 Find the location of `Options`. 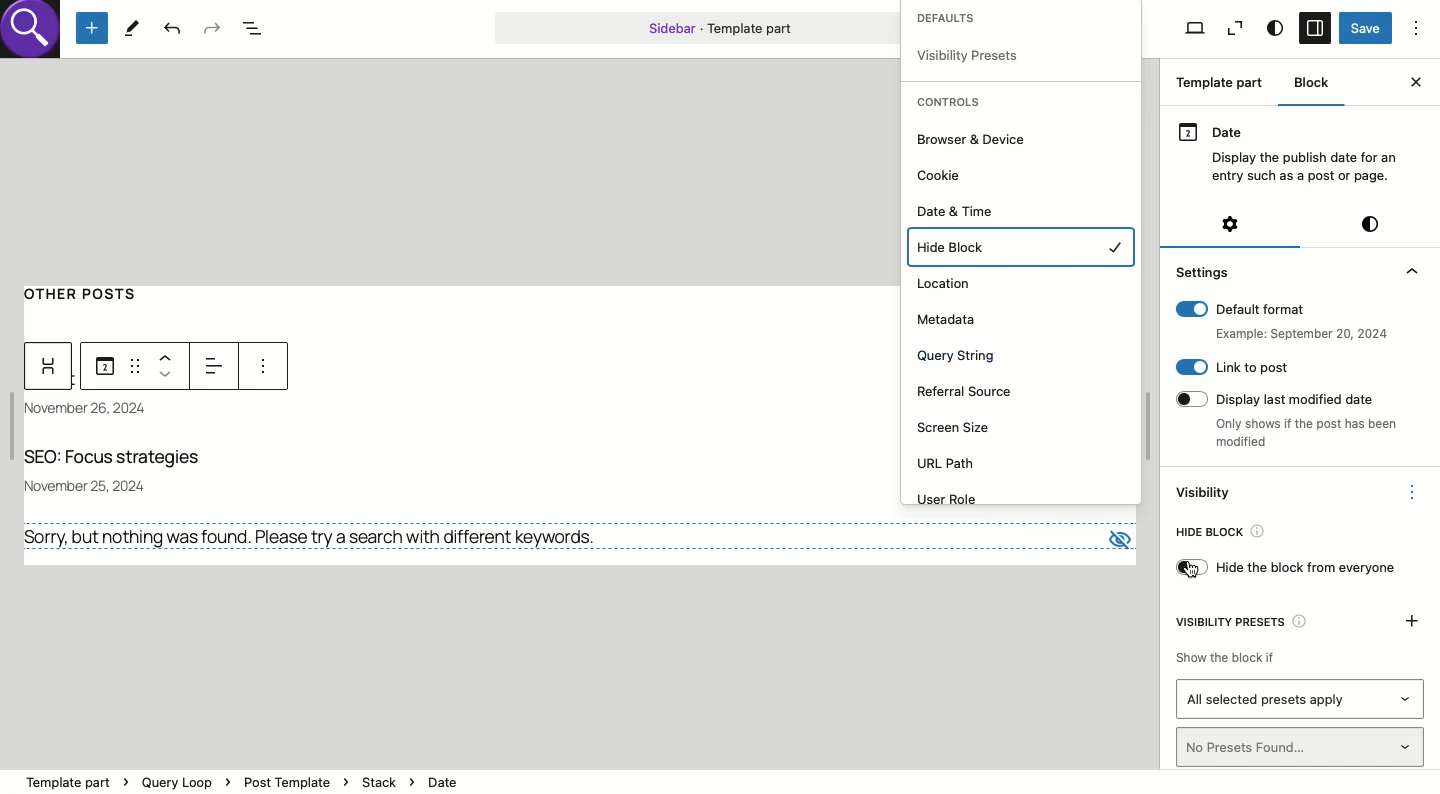

Options is located at coordinates (1417, 27).